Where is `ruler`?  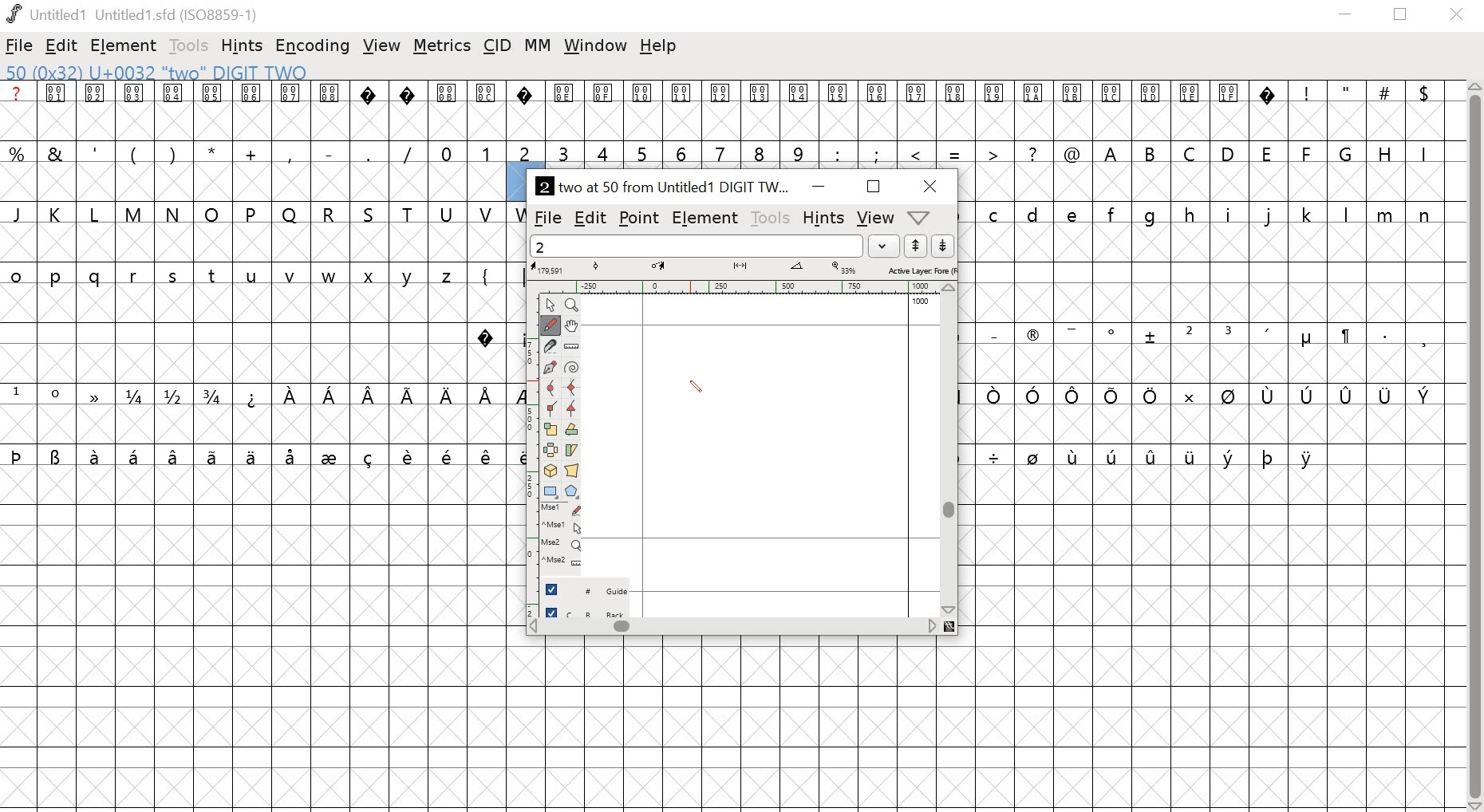 ruler is located at coordinates (532, 447).